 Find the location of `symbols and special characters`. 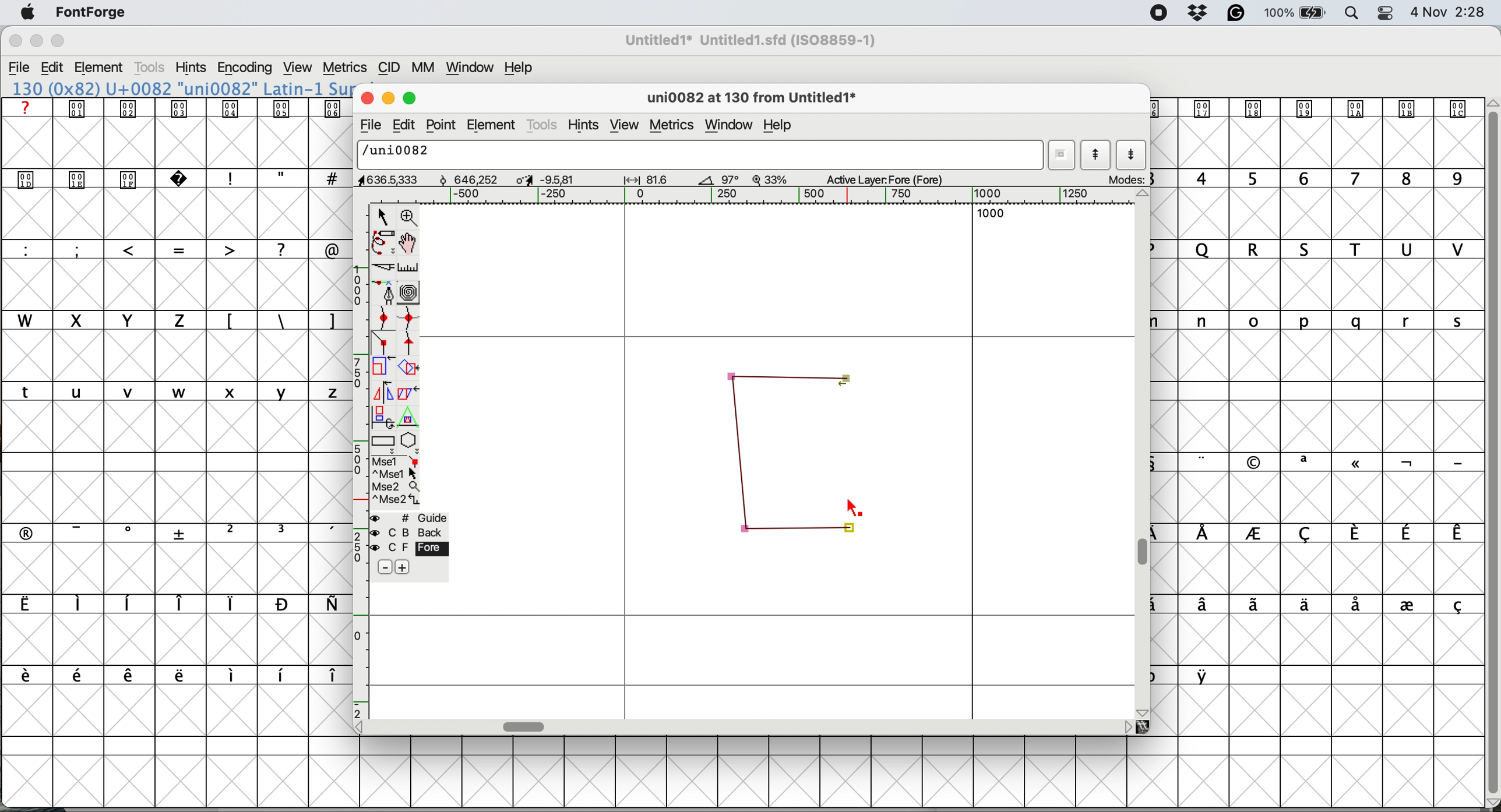

symbols and special characters is located at coordinates (185, 180).